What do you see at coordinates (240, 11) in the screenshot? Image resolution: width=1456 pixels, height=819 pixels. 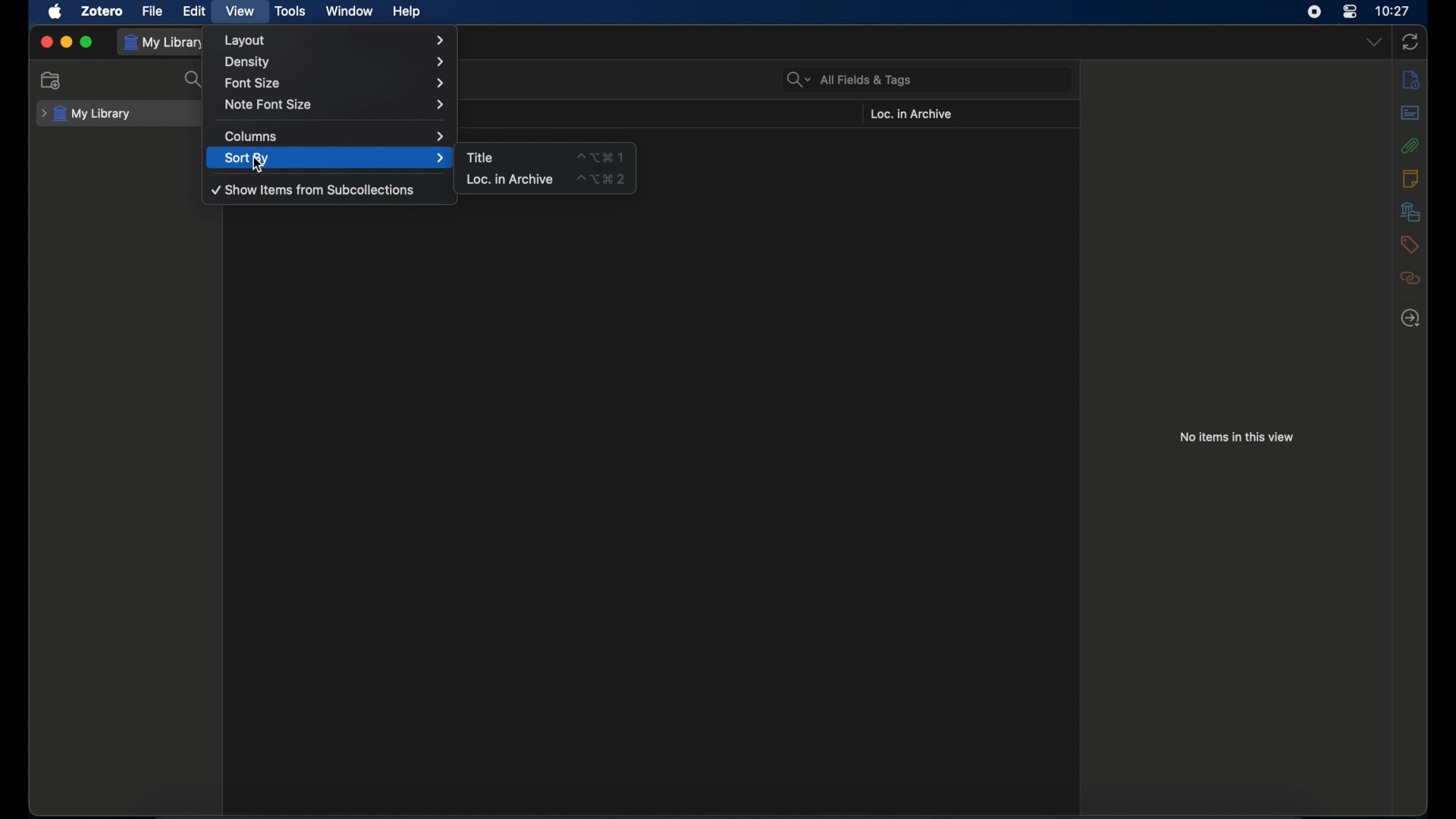 I see `view` at bounding box center [240, 11].